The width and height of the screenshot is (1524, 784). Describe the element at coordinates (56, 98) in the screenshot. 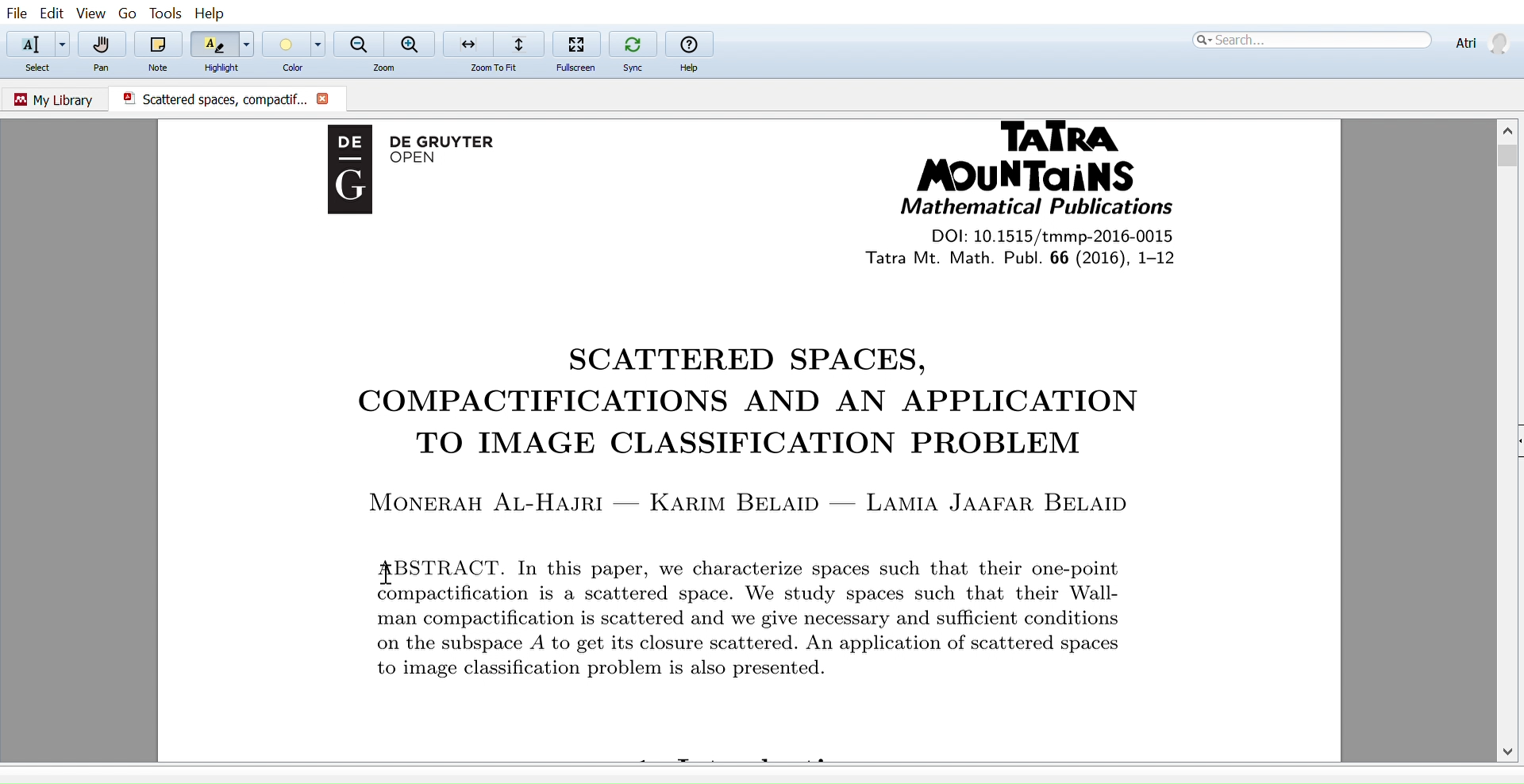

I see `Go to my library` at that location.